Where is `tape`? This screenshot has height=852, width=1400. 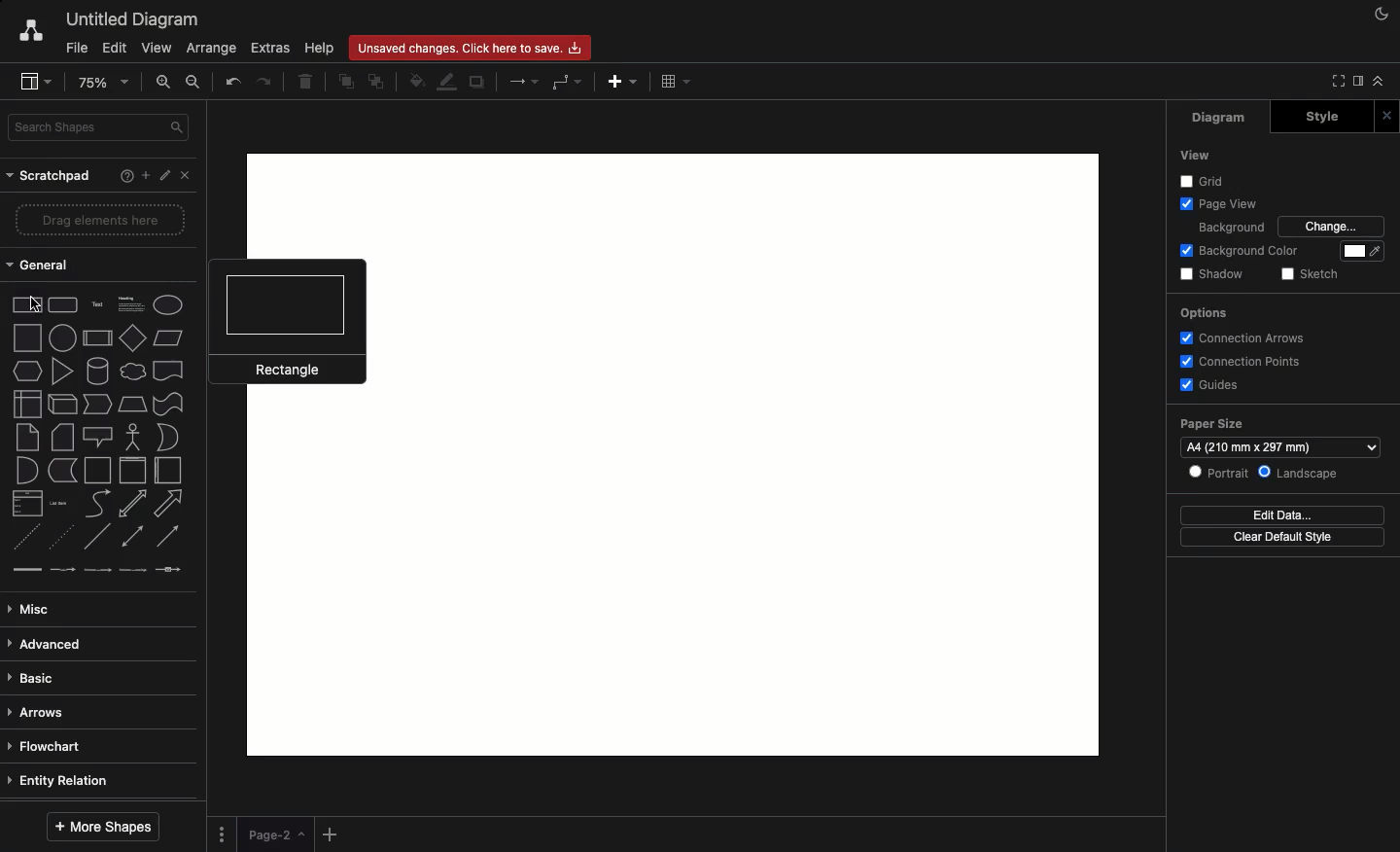
tape is located at coordinates (169, 403).